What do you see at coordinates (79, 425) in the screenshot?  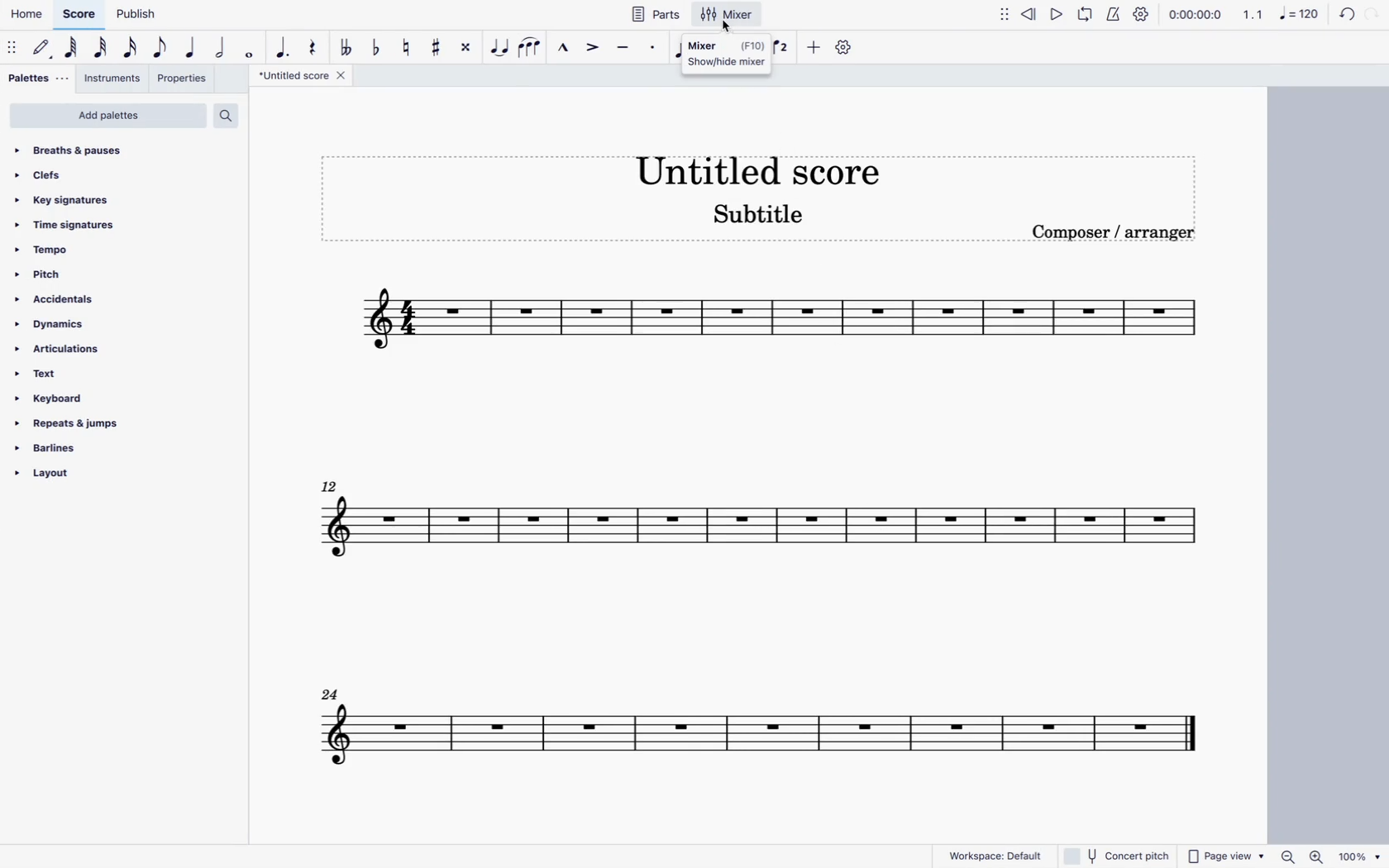 I see `repeats & jumps` at bounding box center [79, 425].